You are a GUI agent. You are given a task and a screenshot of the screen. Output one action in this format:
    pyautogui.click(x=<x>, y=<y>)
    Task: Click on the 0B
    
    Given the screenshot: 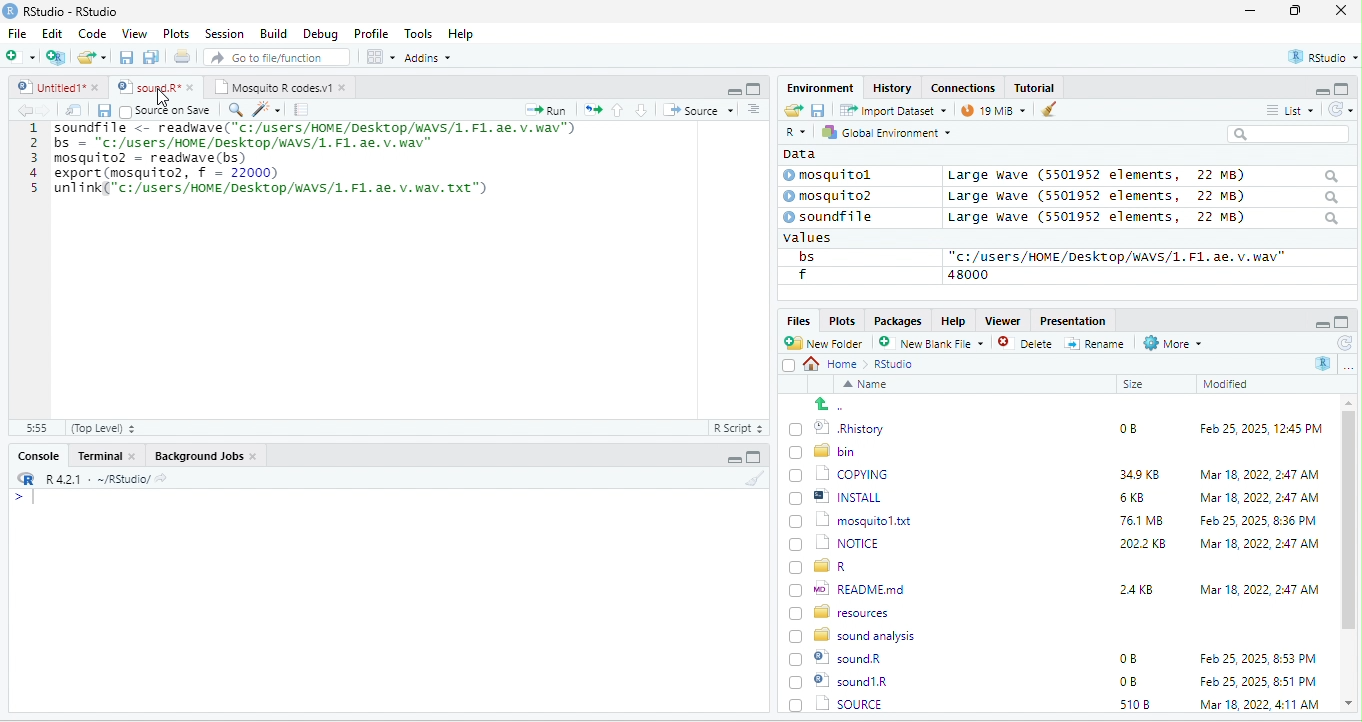 What is the action you would take?
    pyautogui.click(x=1127, y=659)
    